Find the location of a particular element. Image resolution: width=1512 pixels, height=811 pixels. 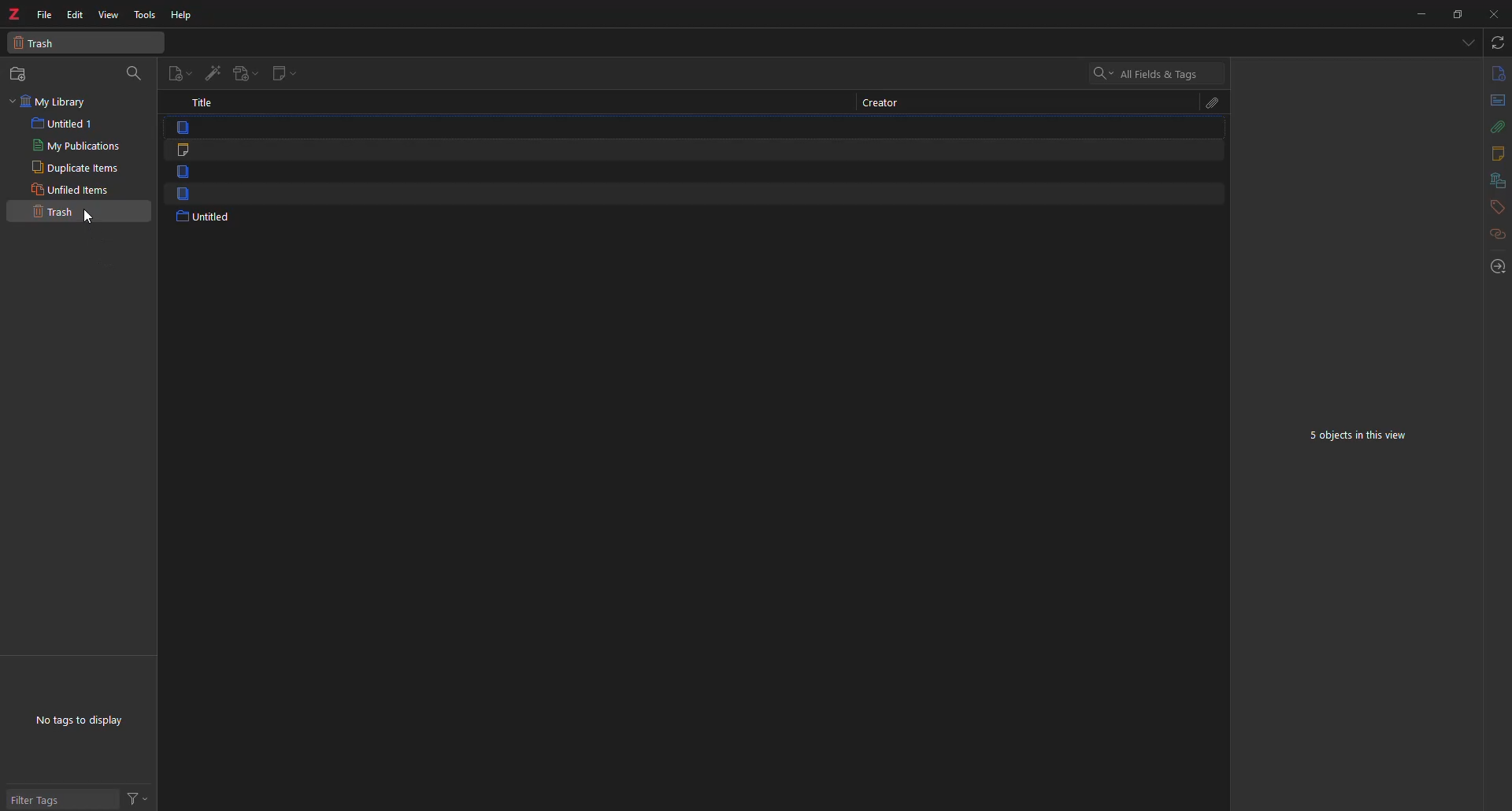

edit is located at coordinates (76, 14).